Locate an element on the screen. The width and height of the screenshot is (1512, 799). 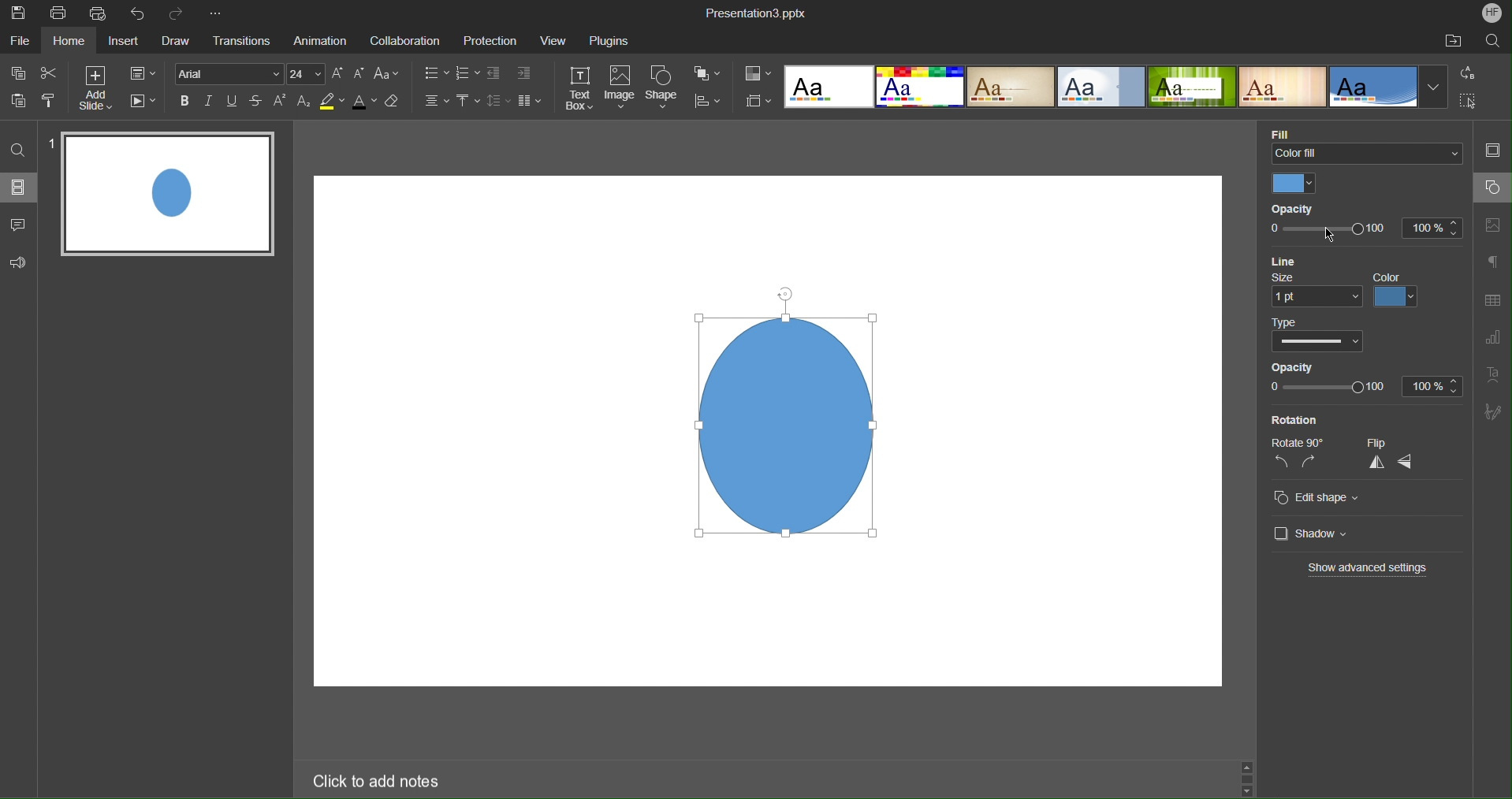
Size is located at coordinates (1312, 292).